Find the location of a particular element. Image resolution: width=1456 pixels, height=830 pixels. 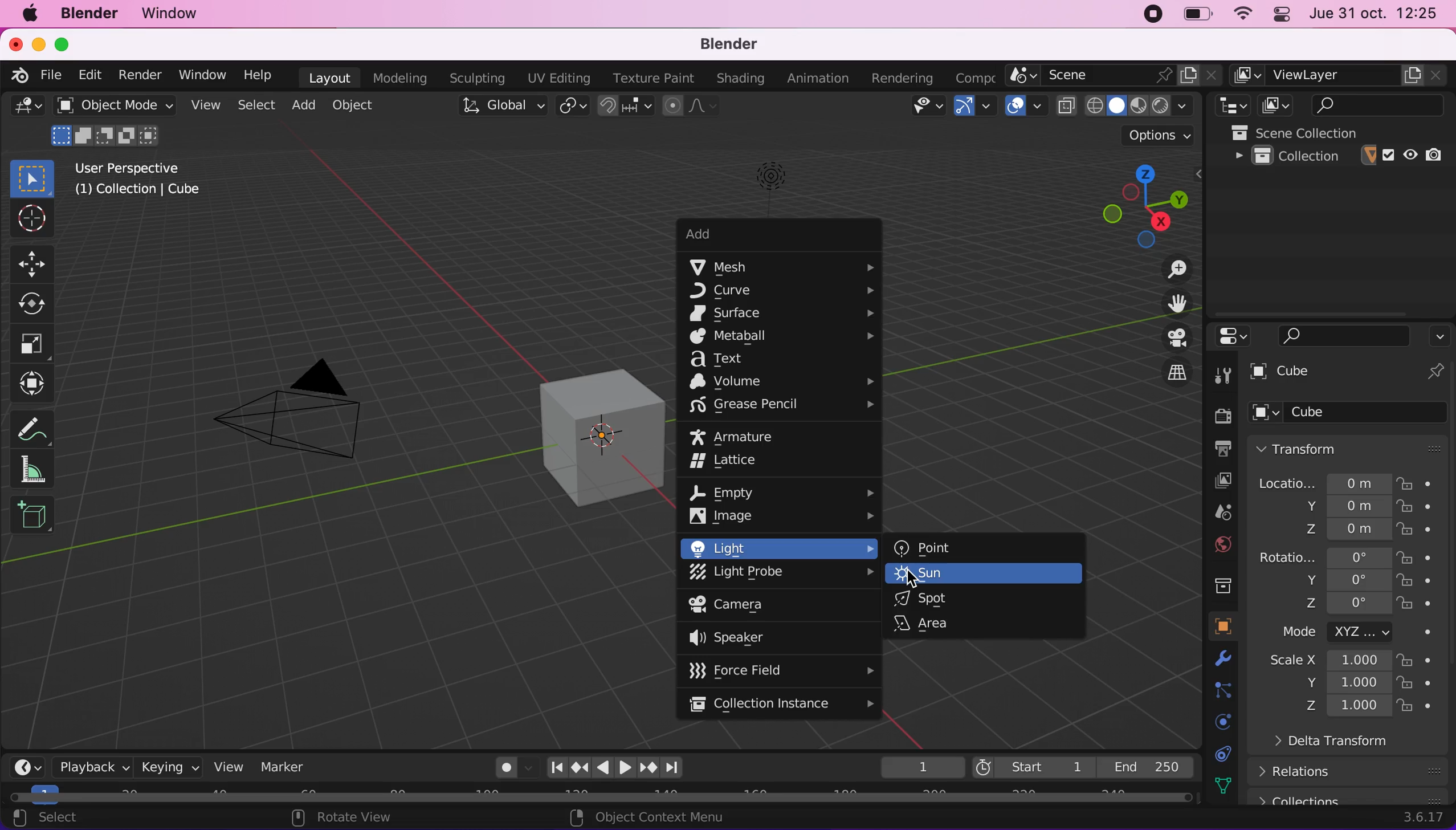

scale x 1.000 is located at coordinates (1323, 662).